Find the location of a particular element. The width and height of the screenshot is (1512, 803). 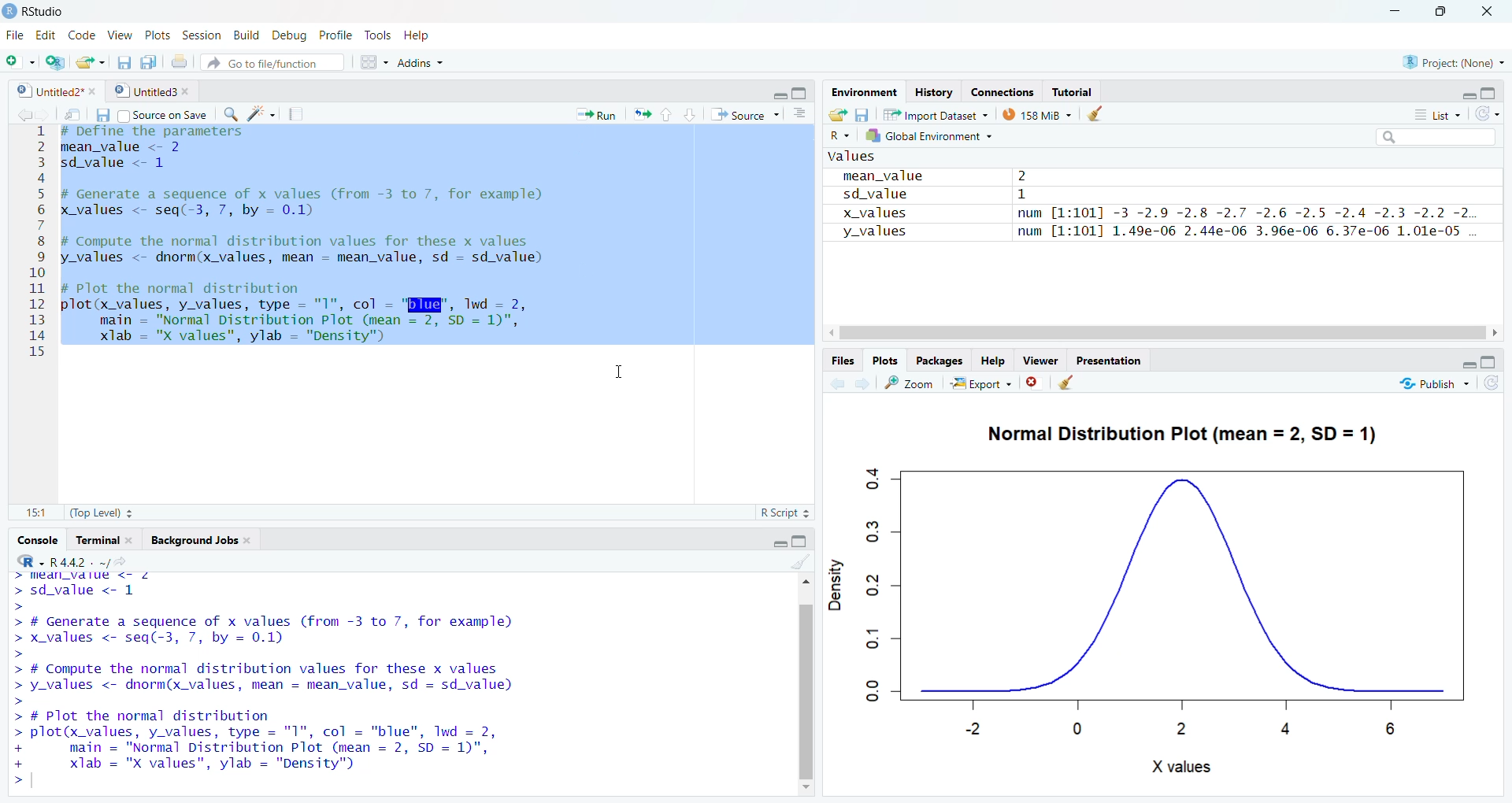

Maximize/minimize is located at coordinates (784, 90).